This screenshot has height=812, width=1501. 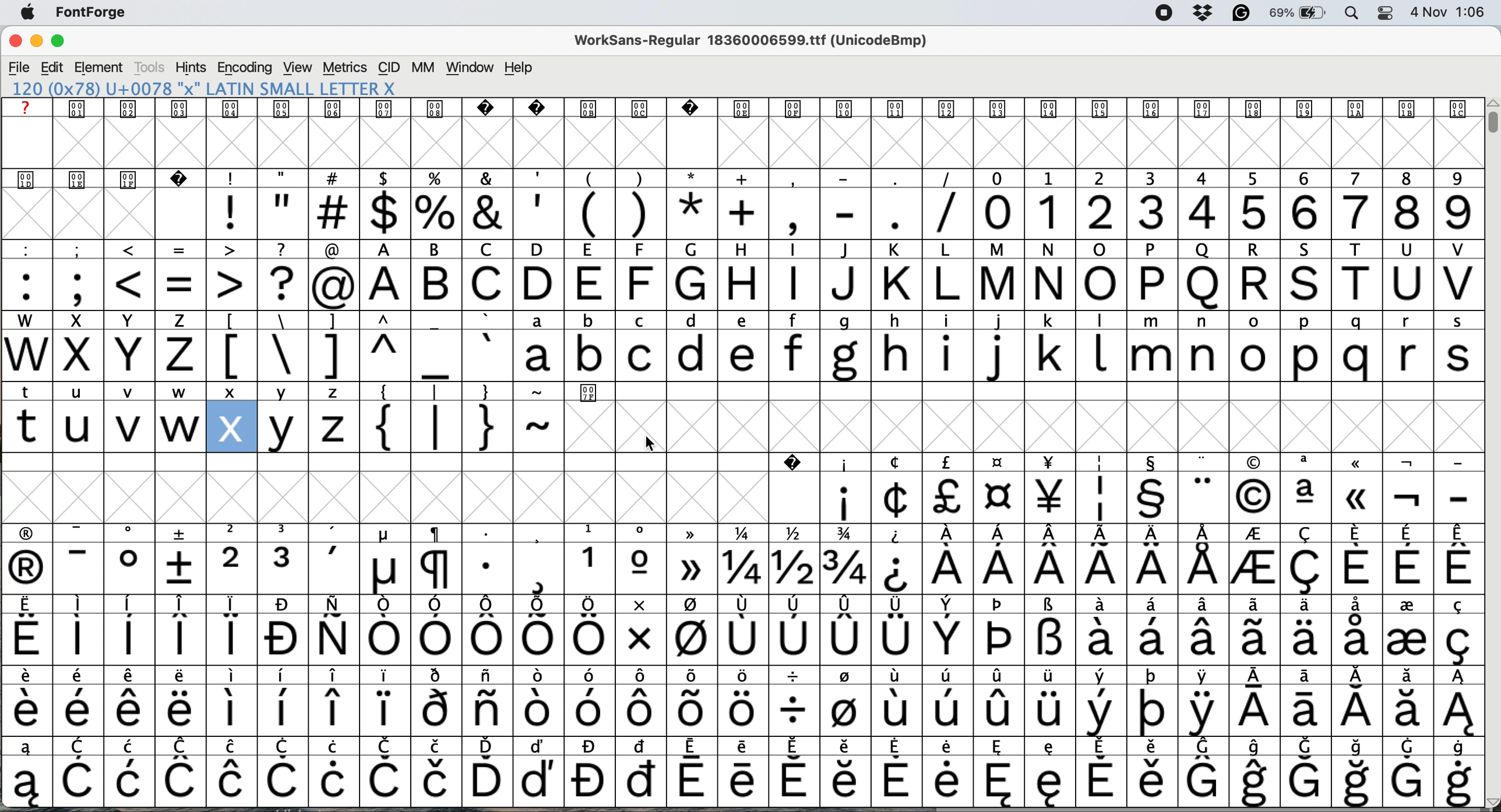 What do you see at coordinates (1227, 211) in the screenshot?
I see `numbers` at bounding box center [1227, 211].